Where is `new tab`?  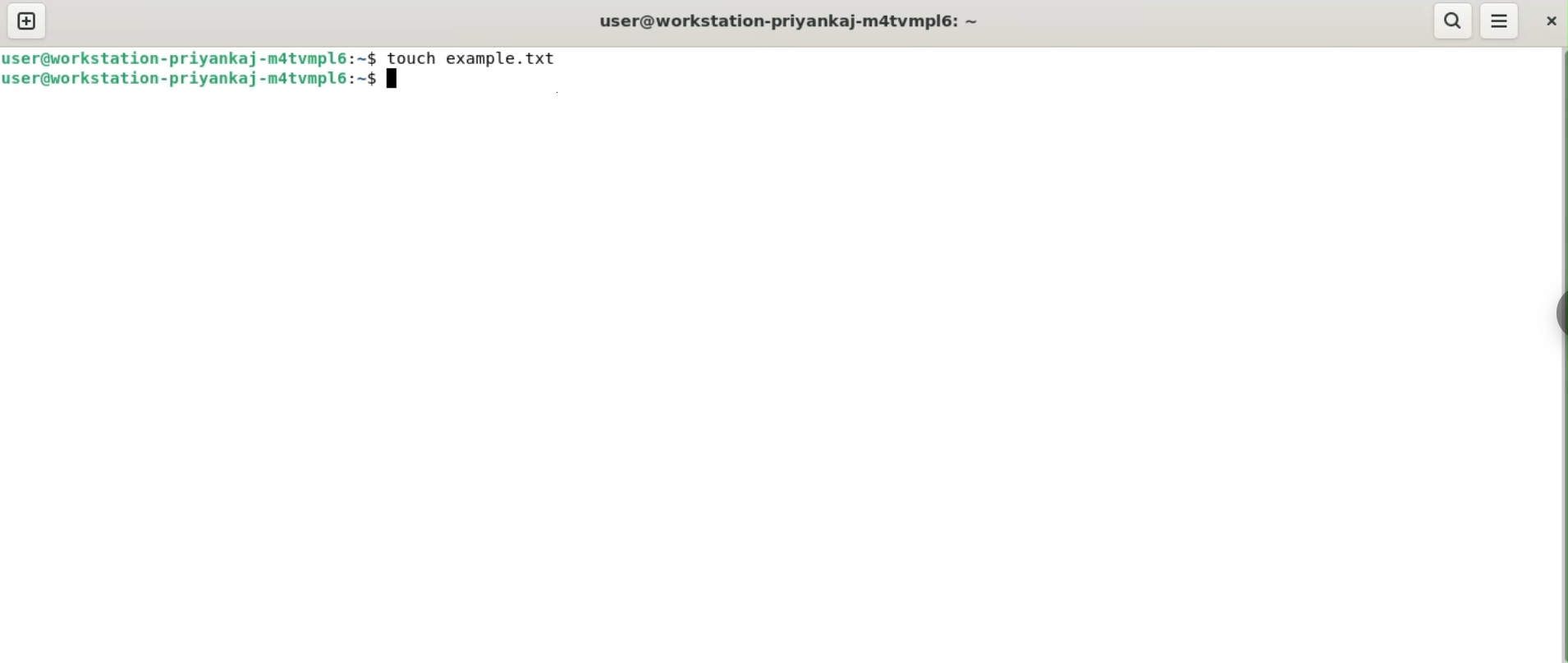
new tab is located at coordinates (28, 22).